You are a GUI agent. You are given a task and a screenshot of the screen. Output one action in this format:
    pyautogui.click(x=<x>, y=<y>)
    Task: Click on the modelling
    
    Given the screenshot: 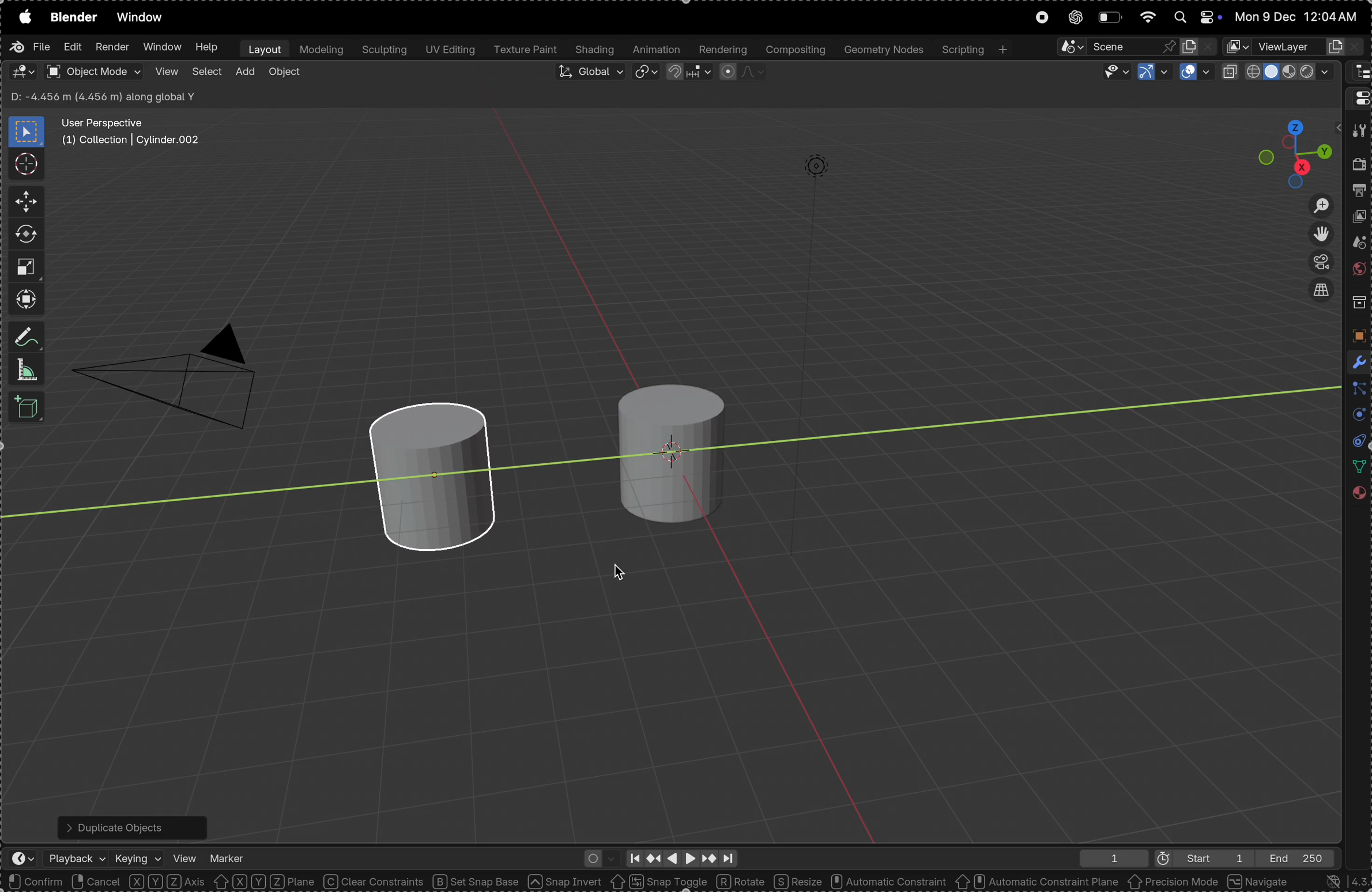 What is the action you would take?
    pyautogui.click(x=321, y=49)
    